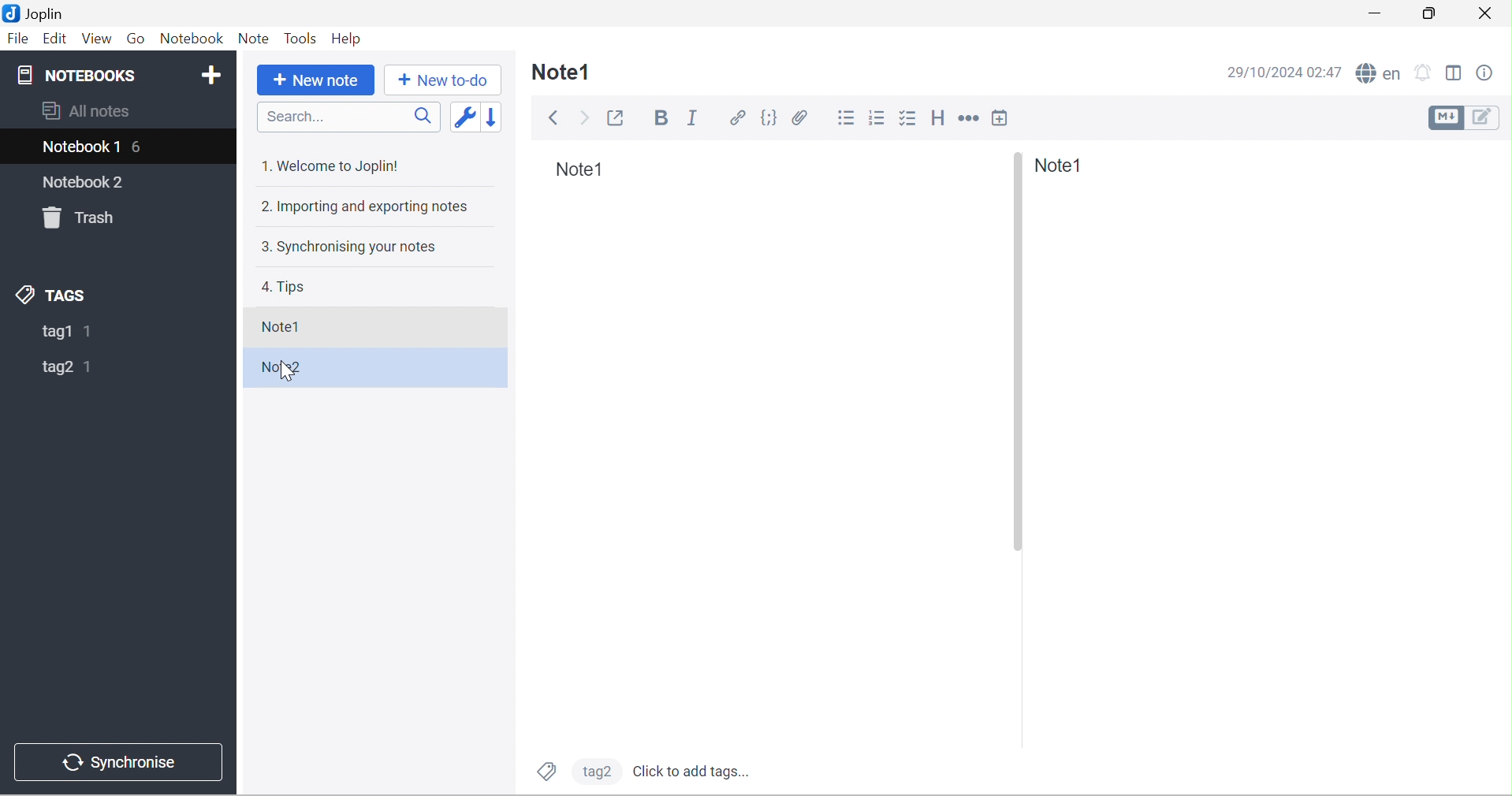 Image resolution: width=1512 pixels, height=796 pixels. What do you see at coordinates (88, 370) in the screenshot?
I see `1` at bounding box center [88, 370].